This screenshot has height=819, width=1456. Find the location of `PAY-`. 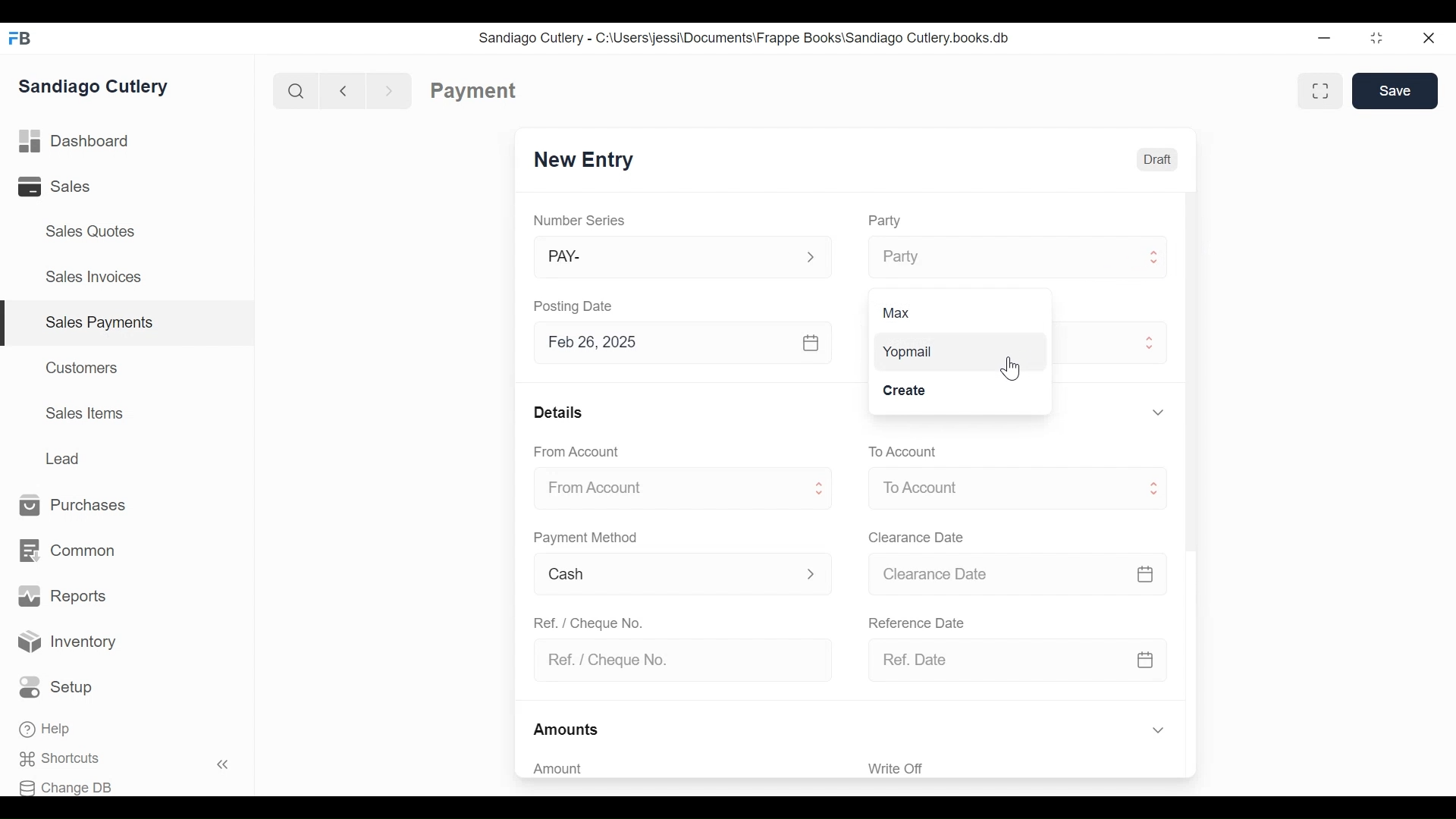

PAY- is located at coordinates (666, 259).